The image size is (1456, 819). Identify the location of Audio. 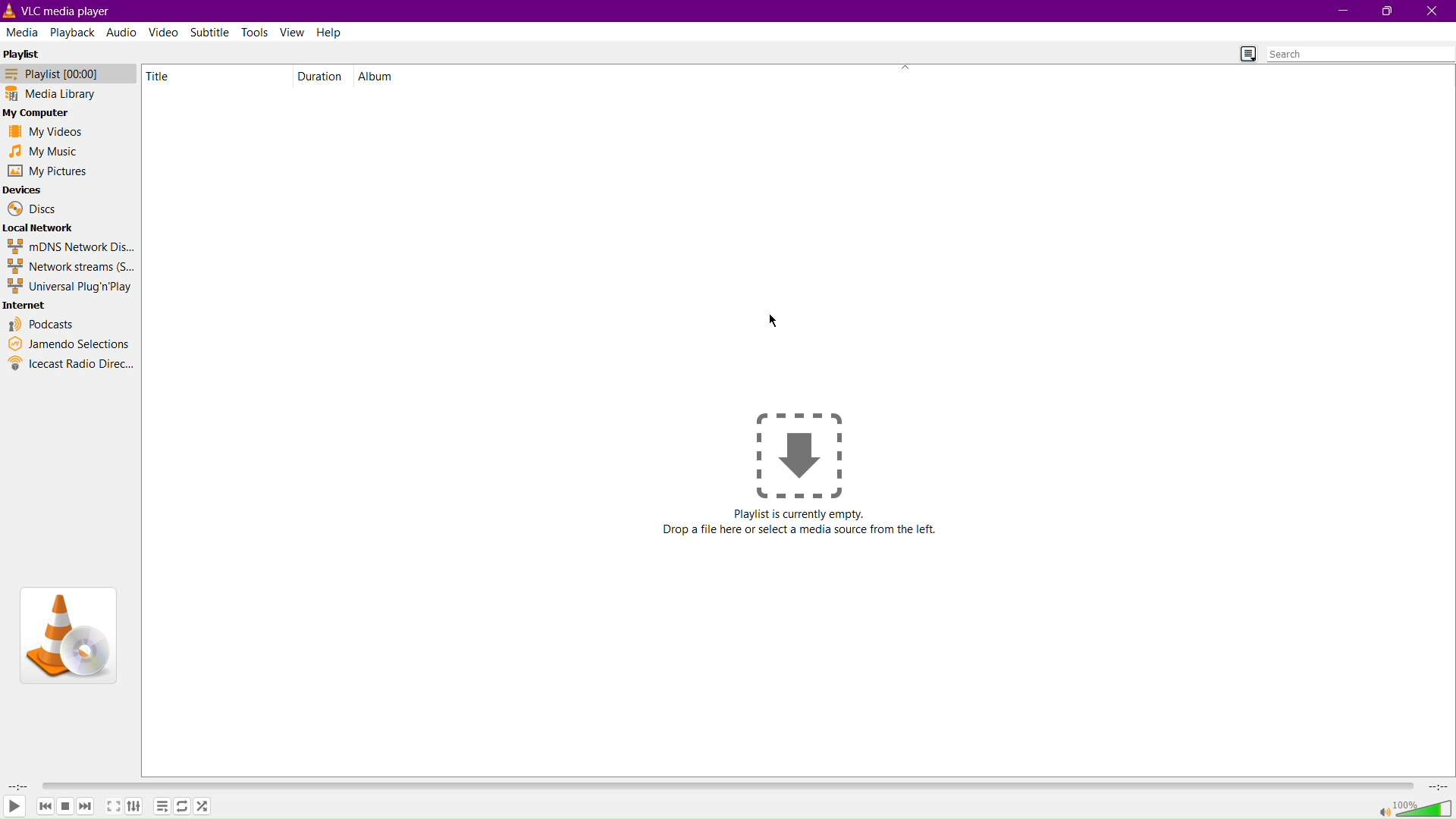
(121, 32).